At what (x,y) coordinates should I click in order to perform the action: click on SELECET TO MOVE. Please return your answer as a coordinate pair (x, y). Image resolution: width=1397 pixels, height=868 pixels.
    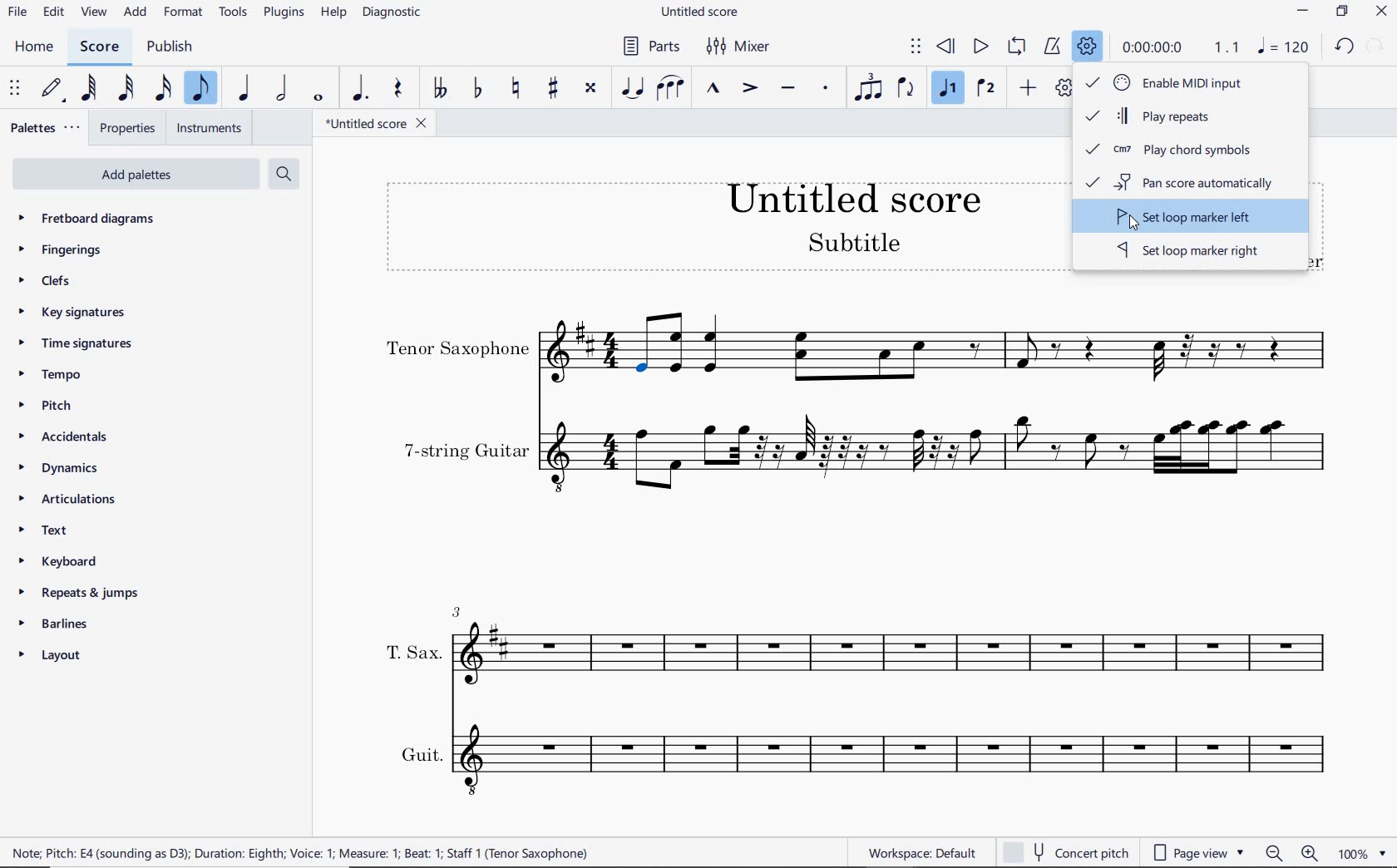
    Looking at the image, I should click on (14, 89).